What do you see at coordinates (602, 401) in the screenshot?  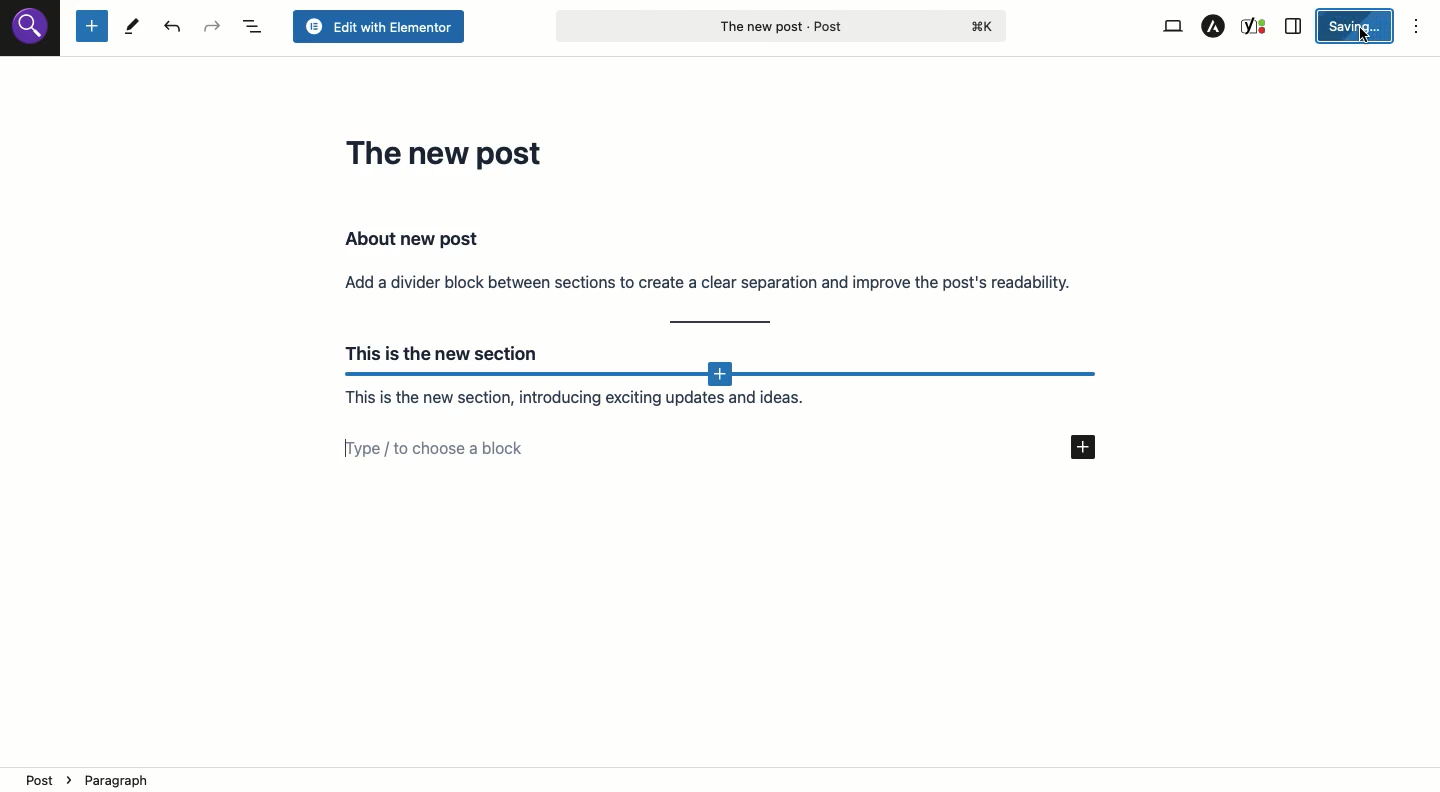 I see `Section 2` at bounding box center [602, 401].